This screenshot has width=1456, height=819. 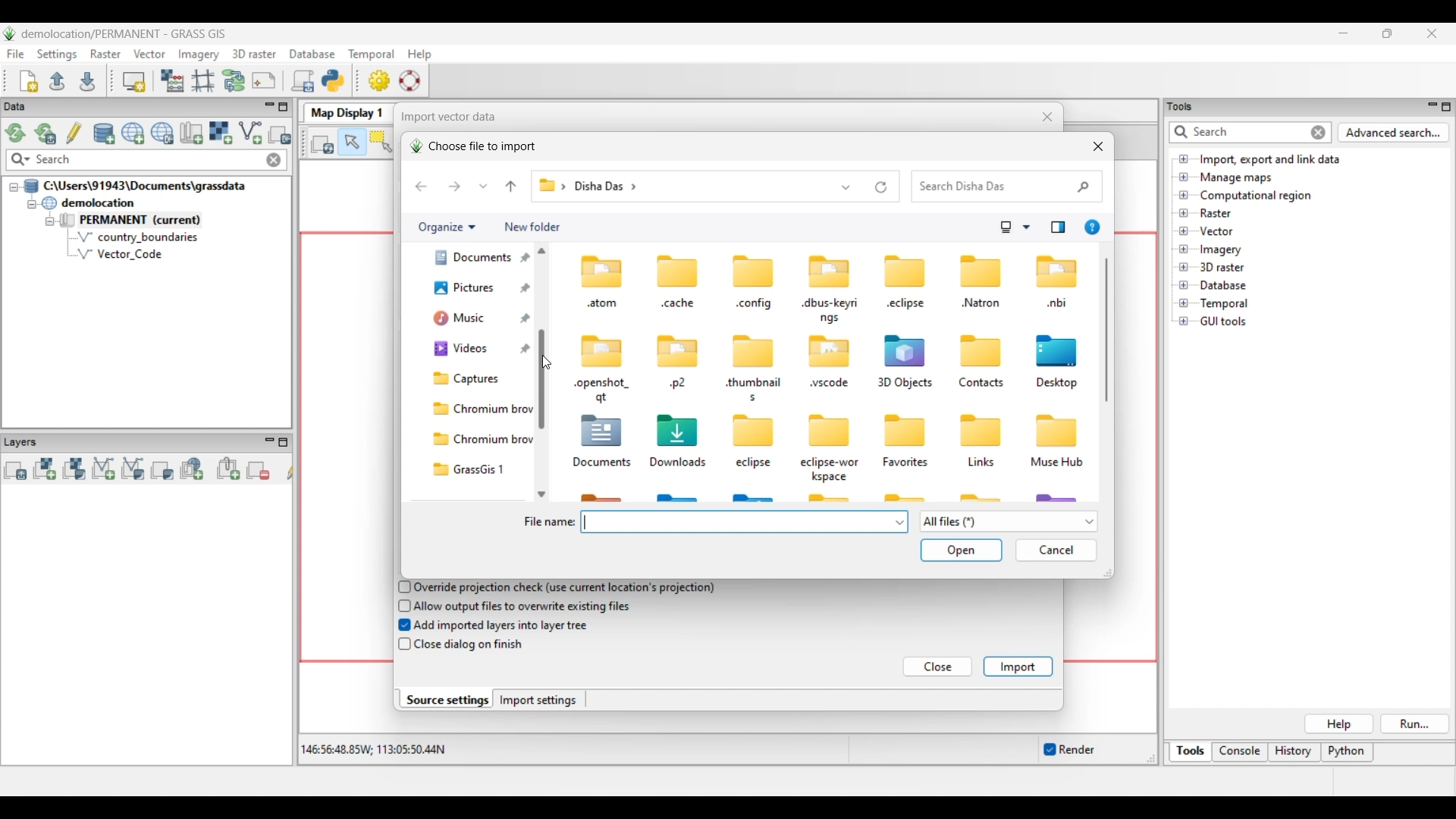 I want to click on Imagery menu, so click(x=199, y=55).